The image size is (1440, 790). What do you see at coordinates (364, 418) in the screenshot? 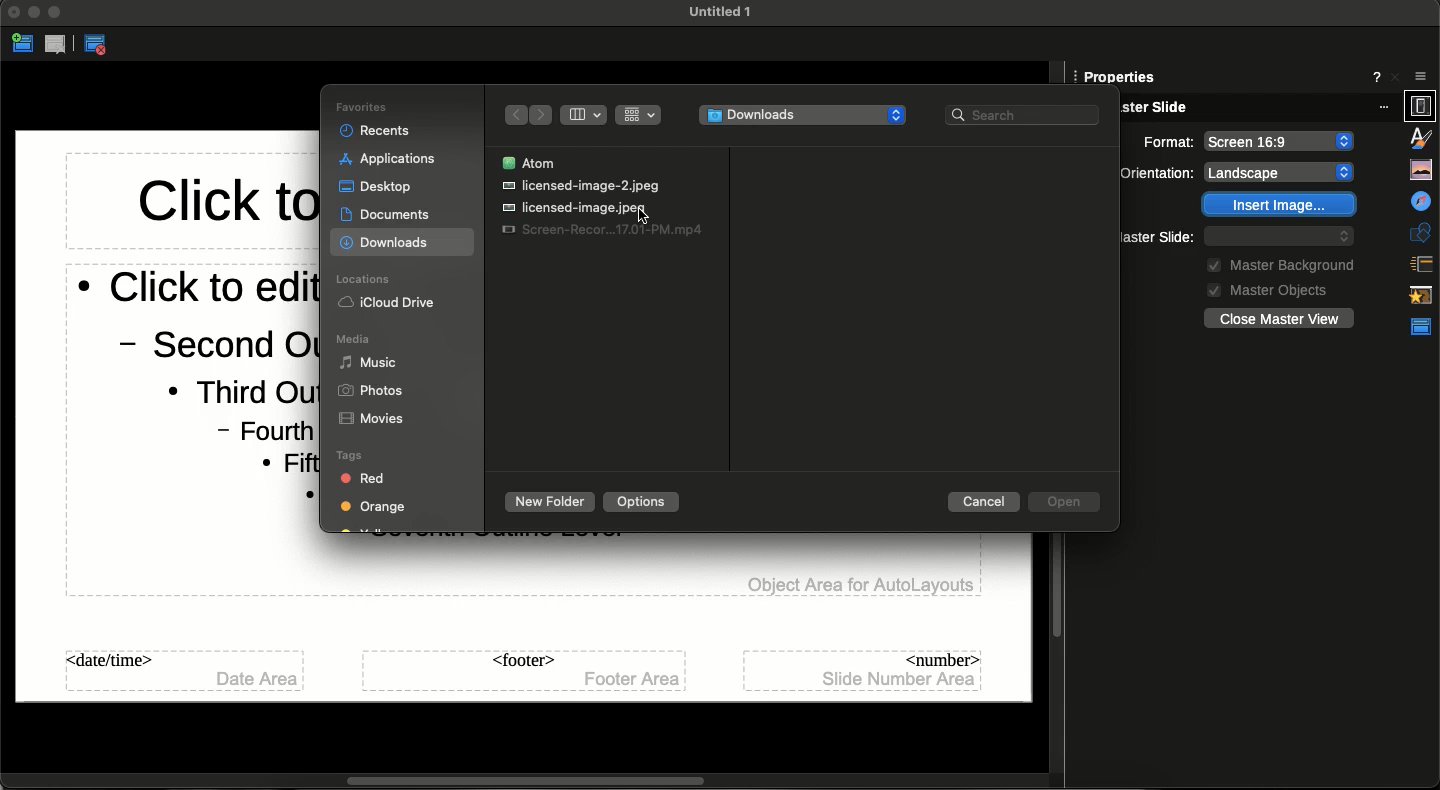
I see `Movies` at bounding box center [364, 418].